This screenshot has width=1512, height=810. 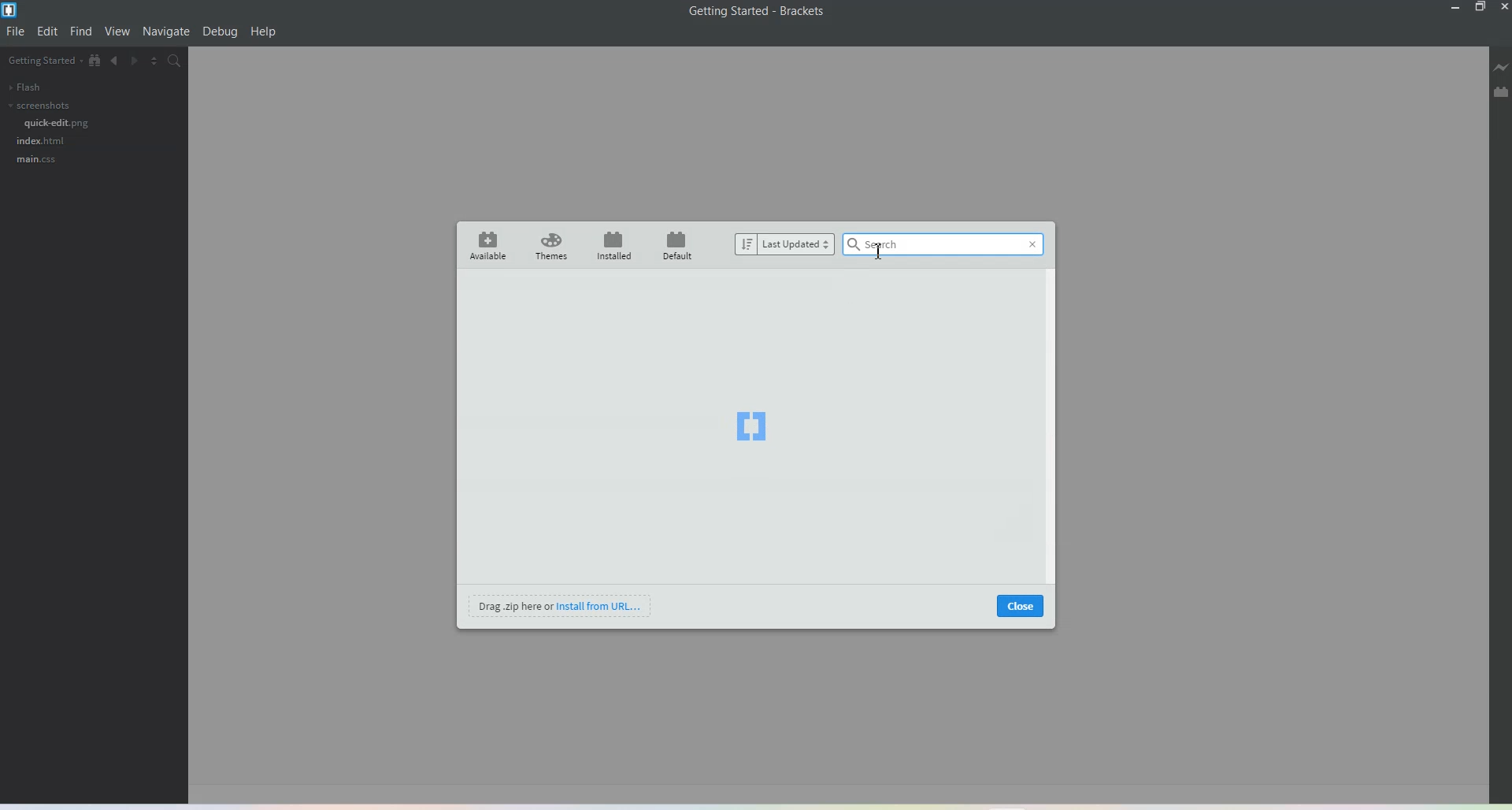 I want to click on Flash, so click(x=24, y=87).